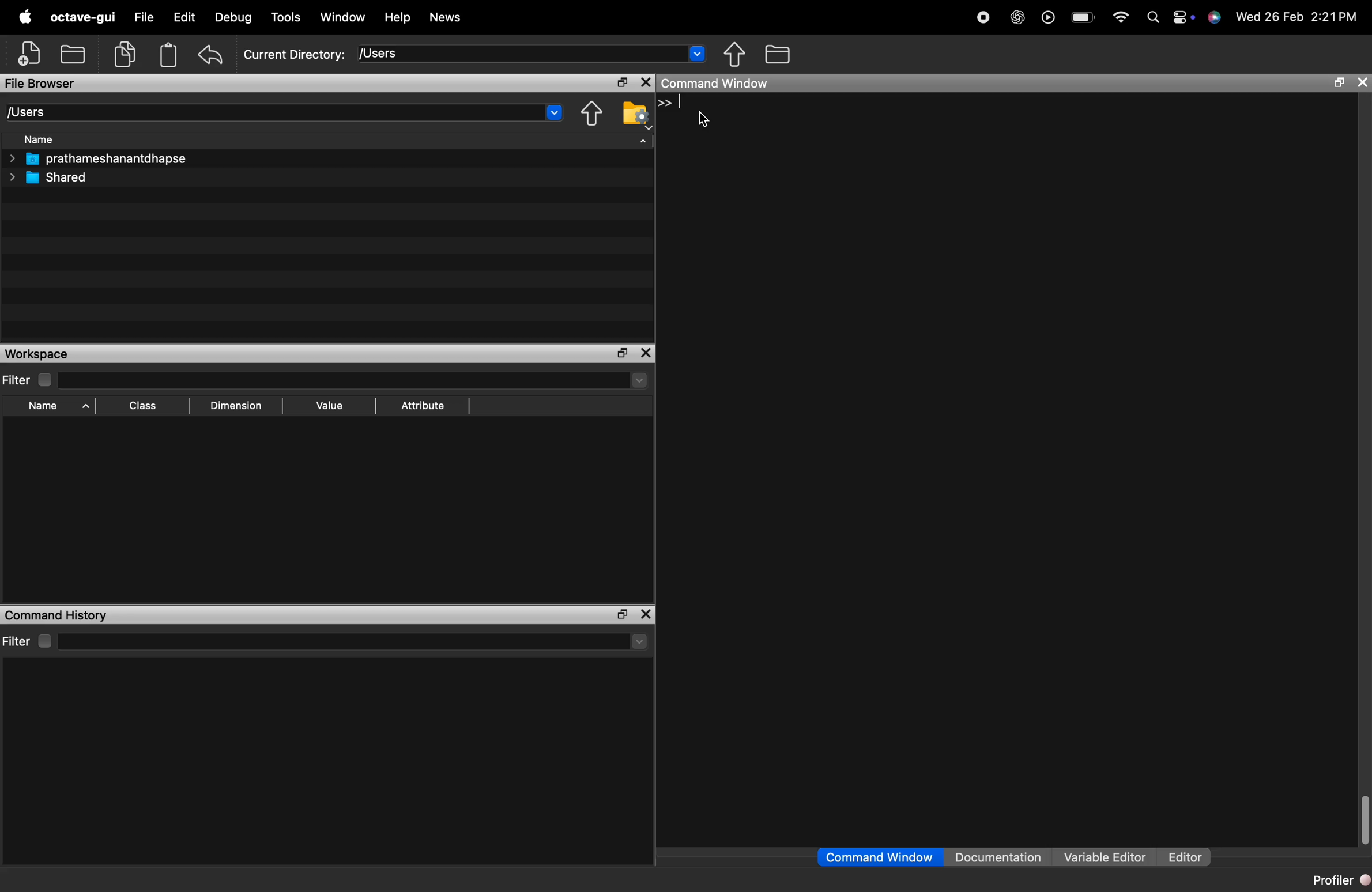 The height and width of the screenshot is (892, 1372). I want to click on octave-gui, so click(80, 18).